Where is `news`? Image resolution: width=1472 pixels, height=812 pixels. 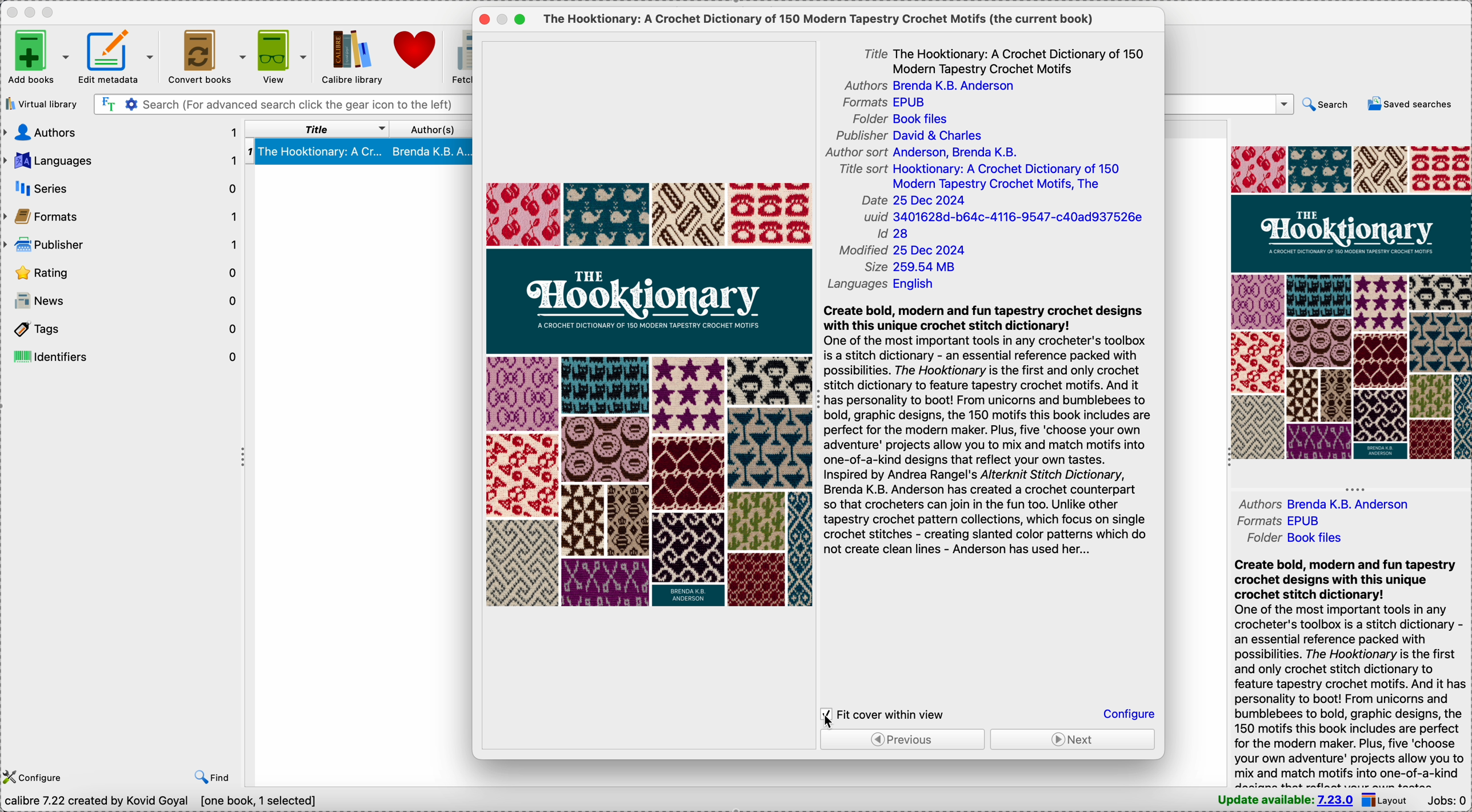 news is located at coordinates (122, 301).